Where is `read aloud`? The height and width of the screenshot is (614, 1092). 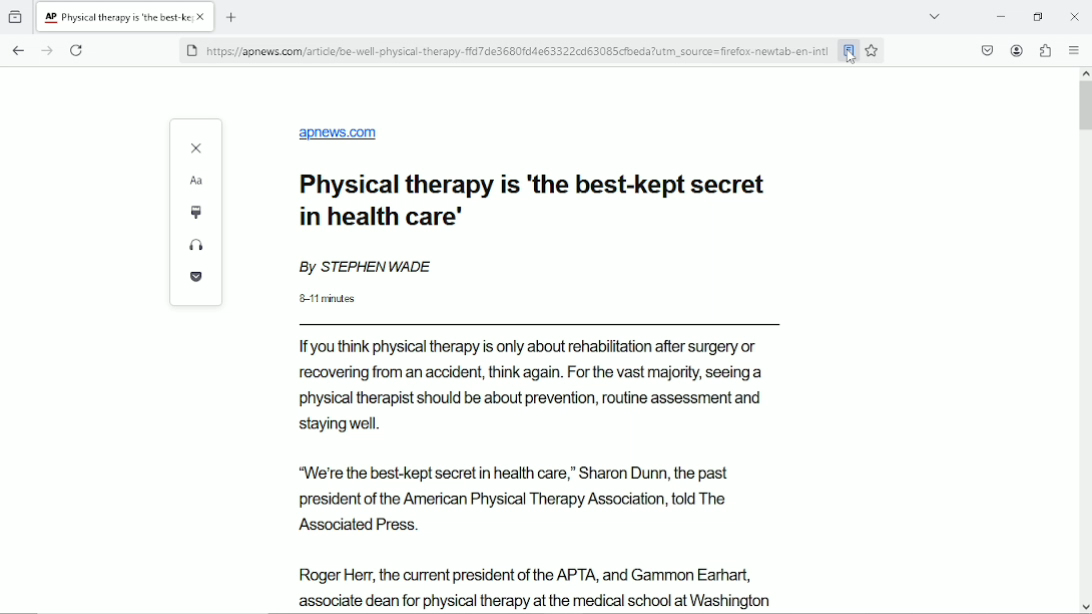
read aloud is located at coordinates (199, 246).